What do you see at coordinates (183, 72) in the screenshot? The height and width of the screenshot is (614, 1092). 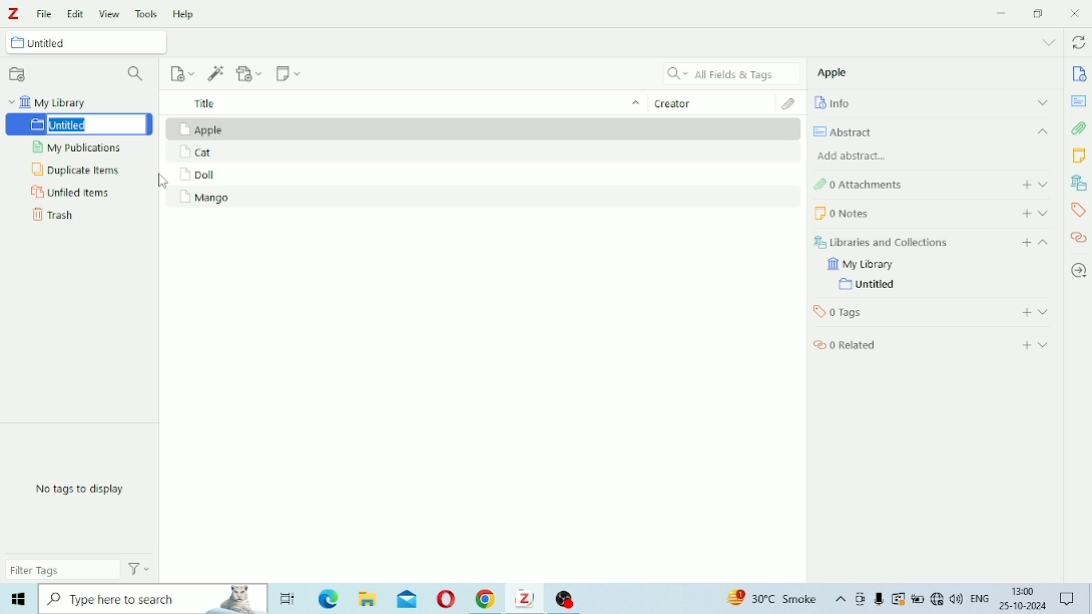 I see `New Item` at bounding box center [183, 72].